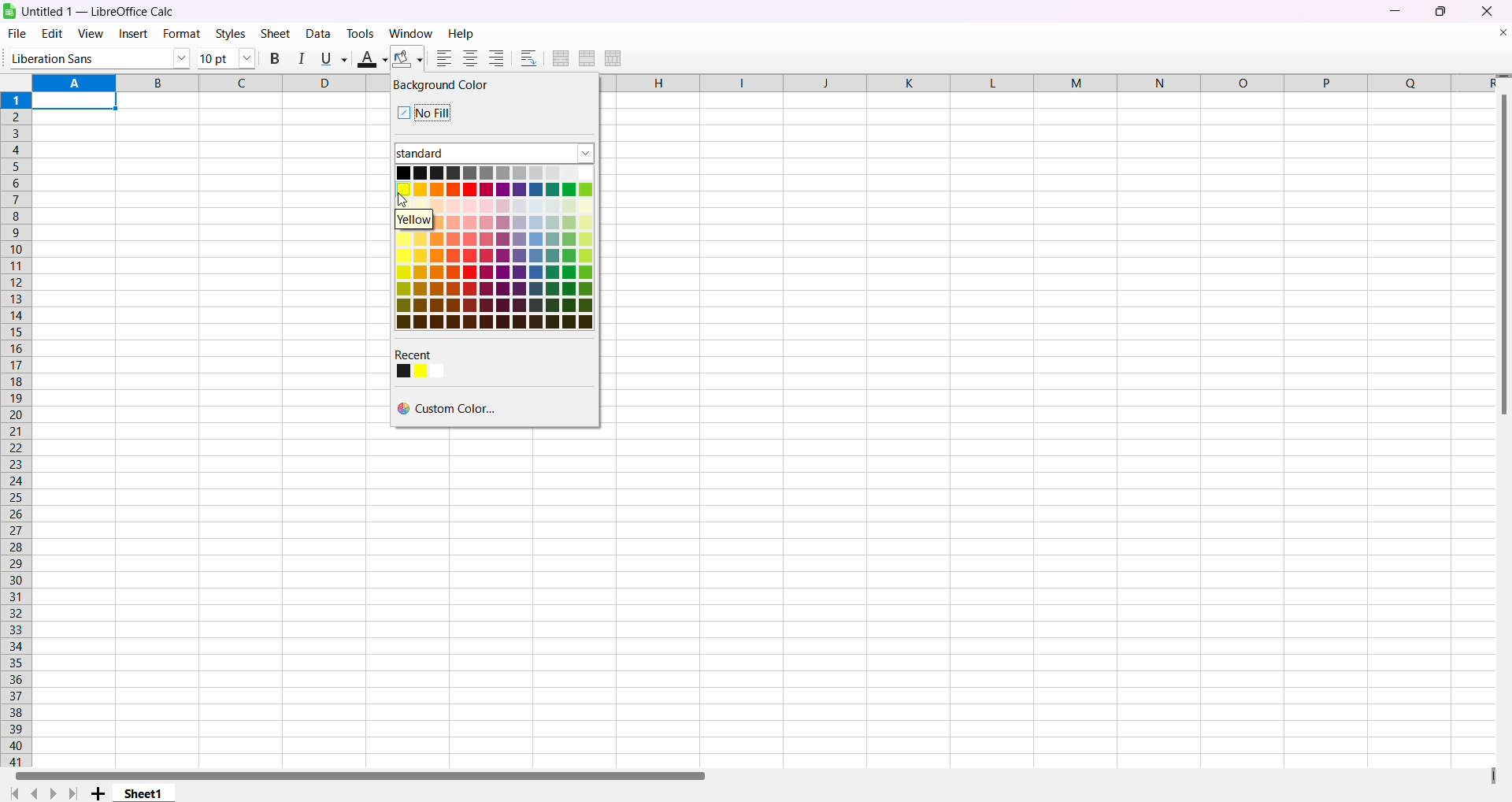 The image size is (1512, 802). I want to click on center aligned, so click(469, 58).